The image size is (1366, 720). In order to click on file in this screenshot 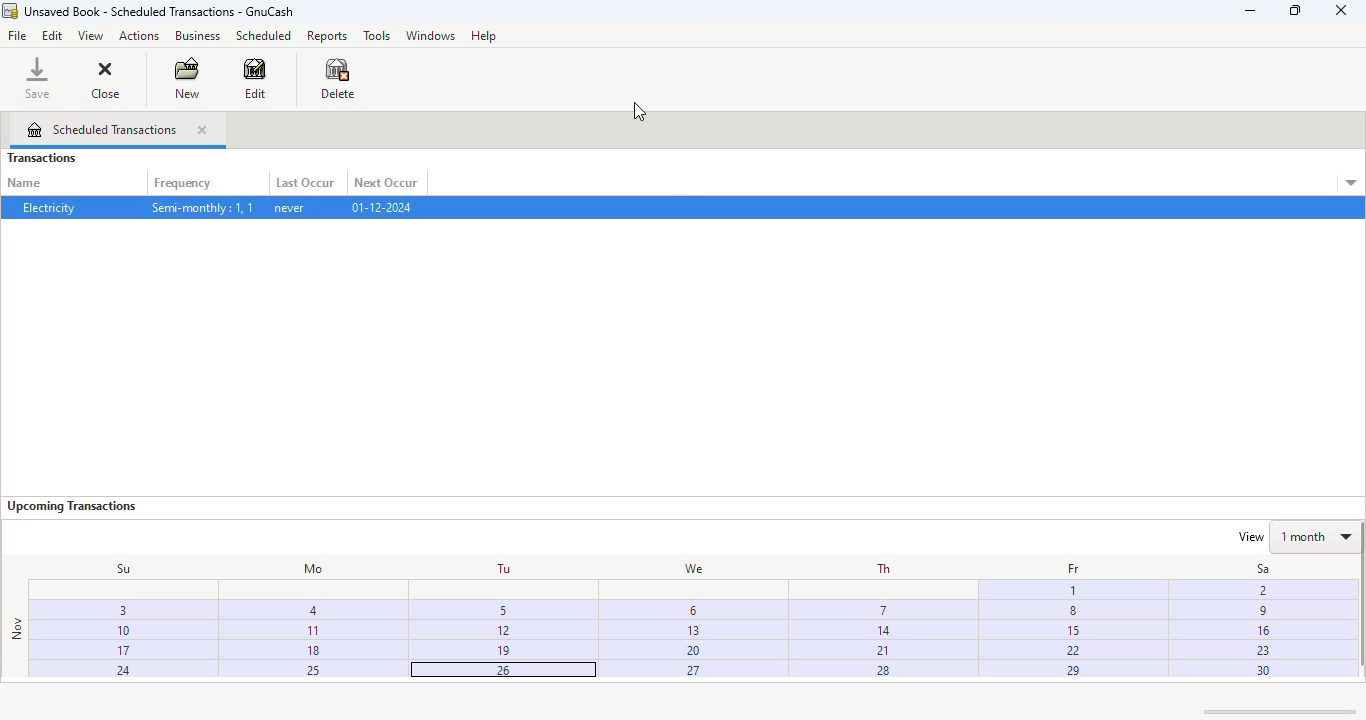, I will do `click(17, 35)`.